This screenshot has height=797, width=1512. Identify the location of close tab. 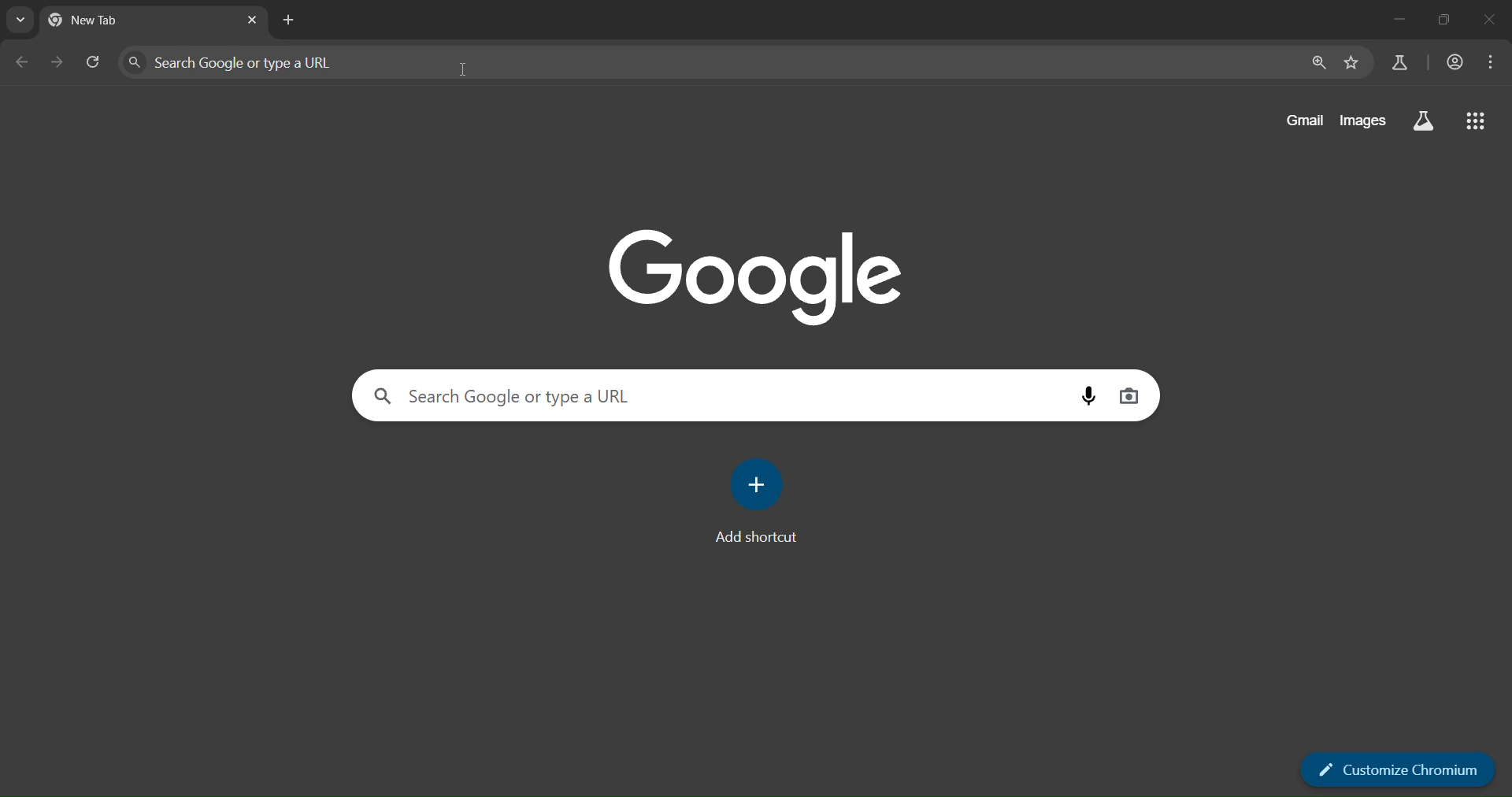
(255, 22).